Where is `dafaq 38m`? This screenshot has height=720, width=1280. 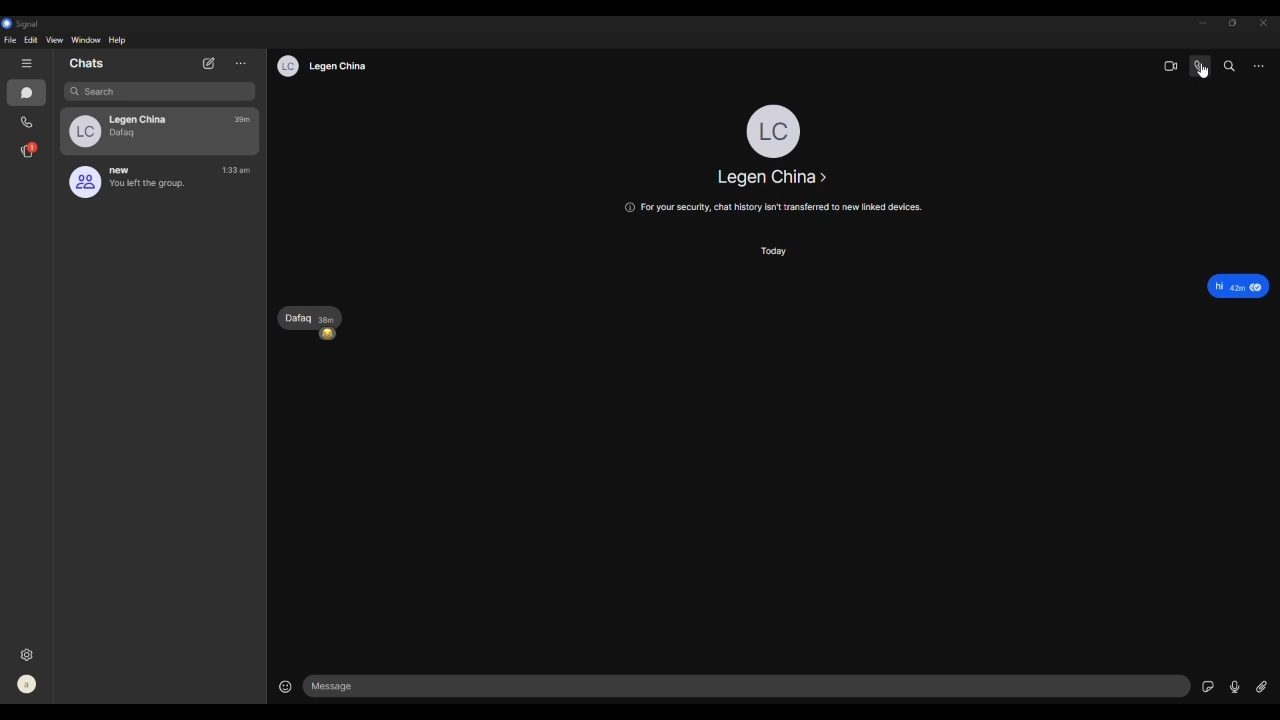
dafaq 38m is located at coordinates (305, 315).